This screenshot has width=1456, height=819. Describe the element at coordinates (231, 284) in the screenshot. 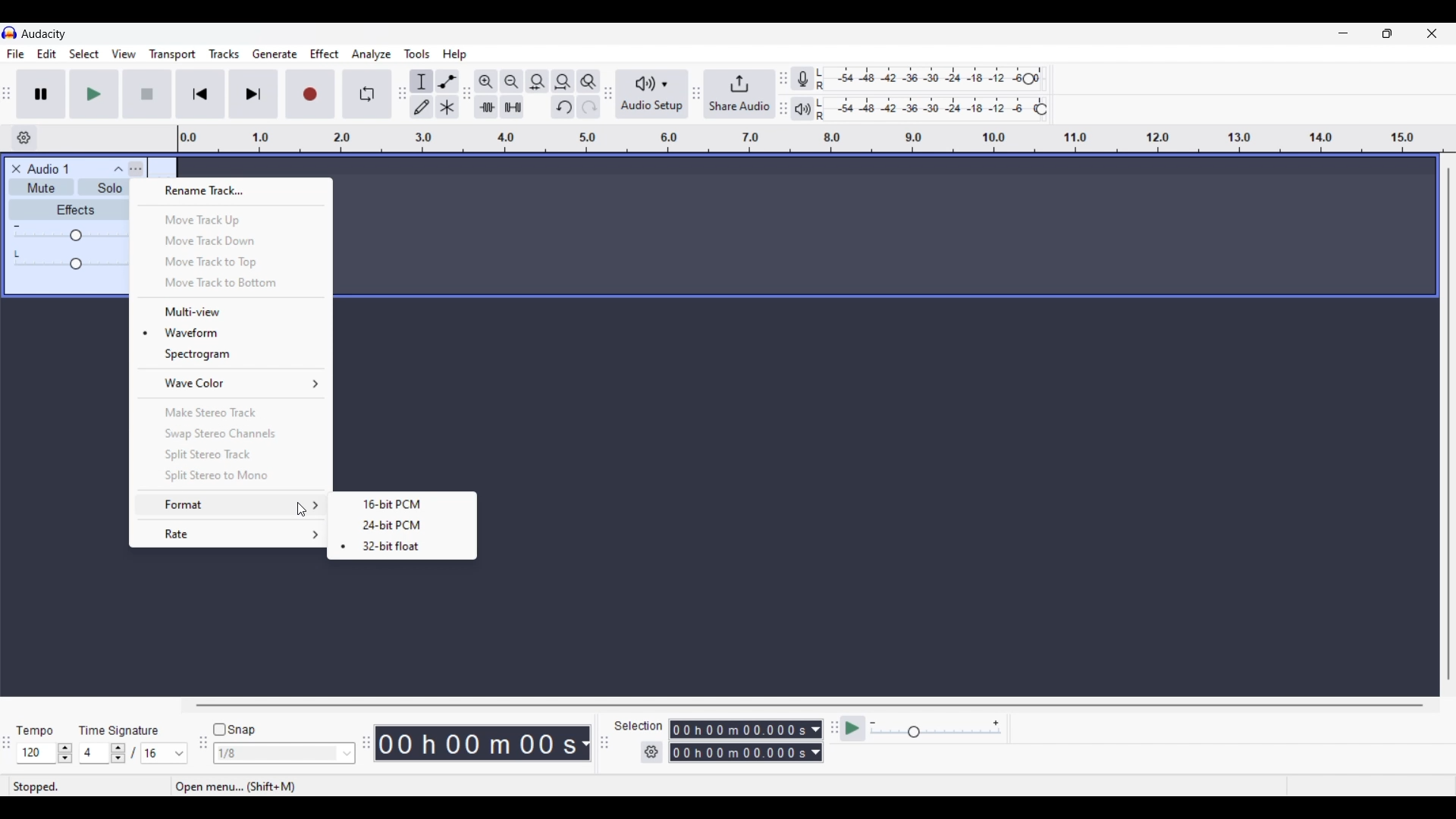

I see `Move track to bottom` at that location.